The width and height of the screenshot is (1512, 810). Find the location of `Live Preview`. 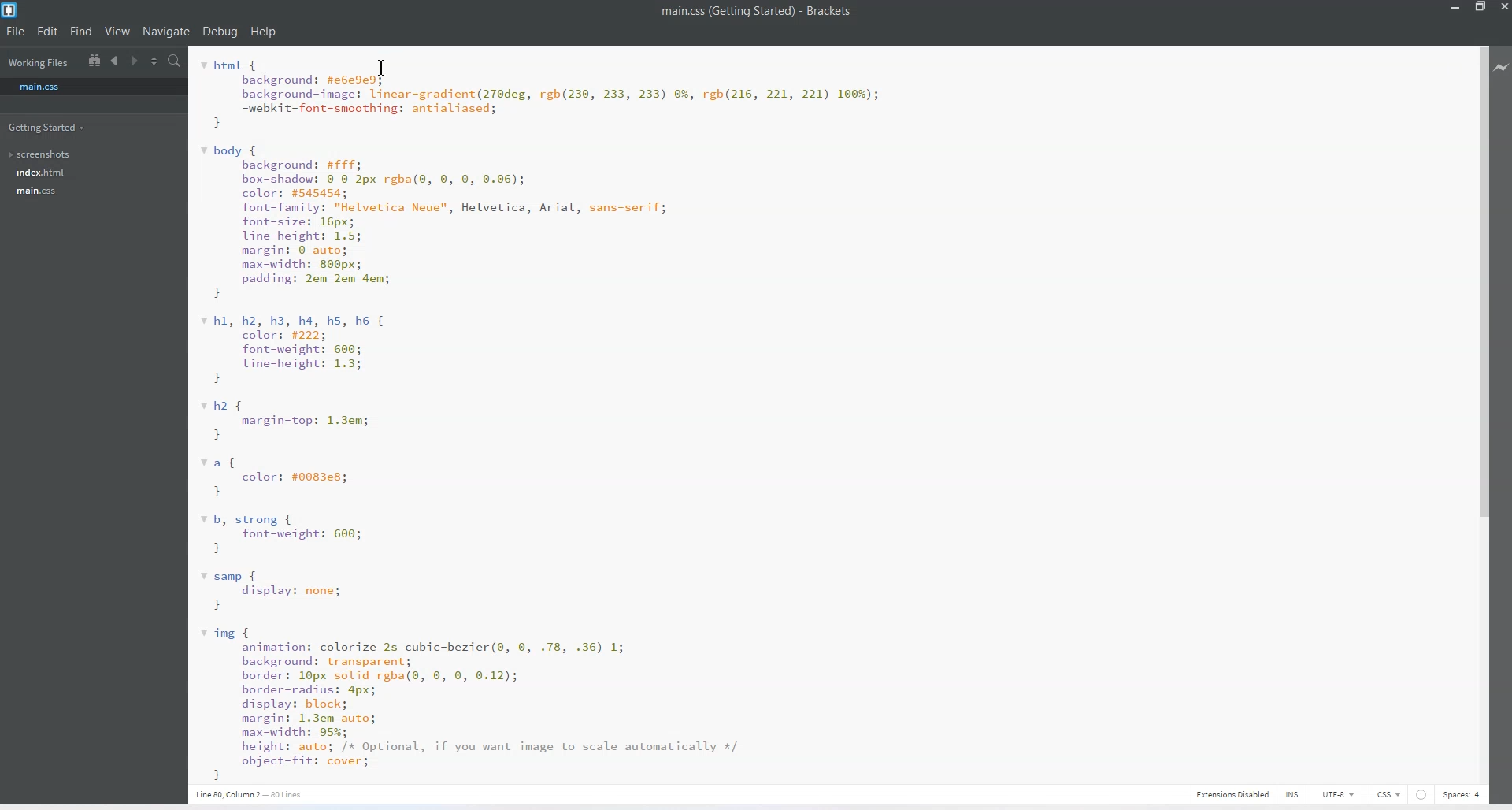

Live Preview is located at coordinates (1502, 65).